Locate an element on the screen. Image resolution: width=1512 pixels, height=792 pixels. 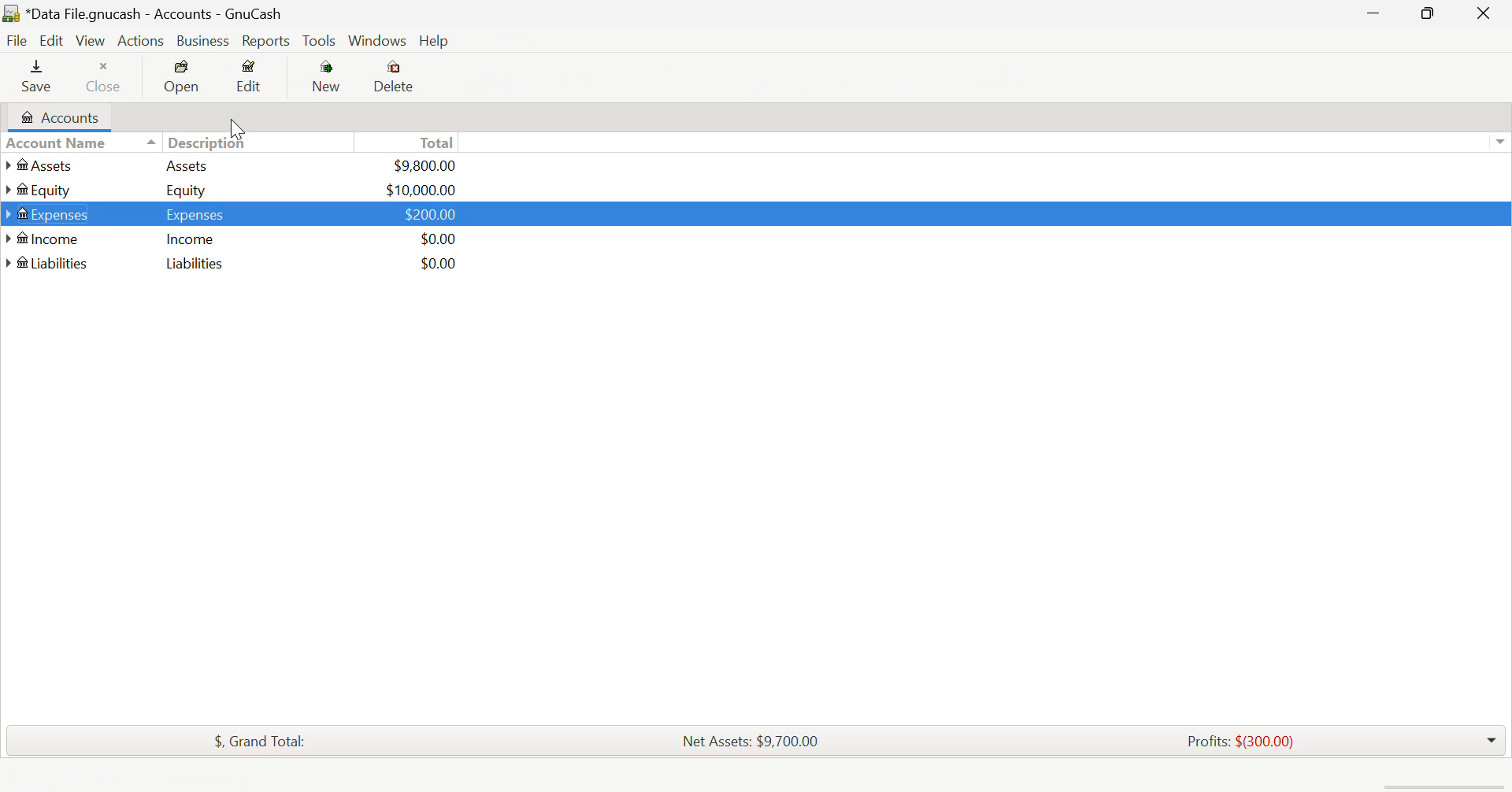
Expenses Expenses $200.00 is located at coordinates (232, 212).